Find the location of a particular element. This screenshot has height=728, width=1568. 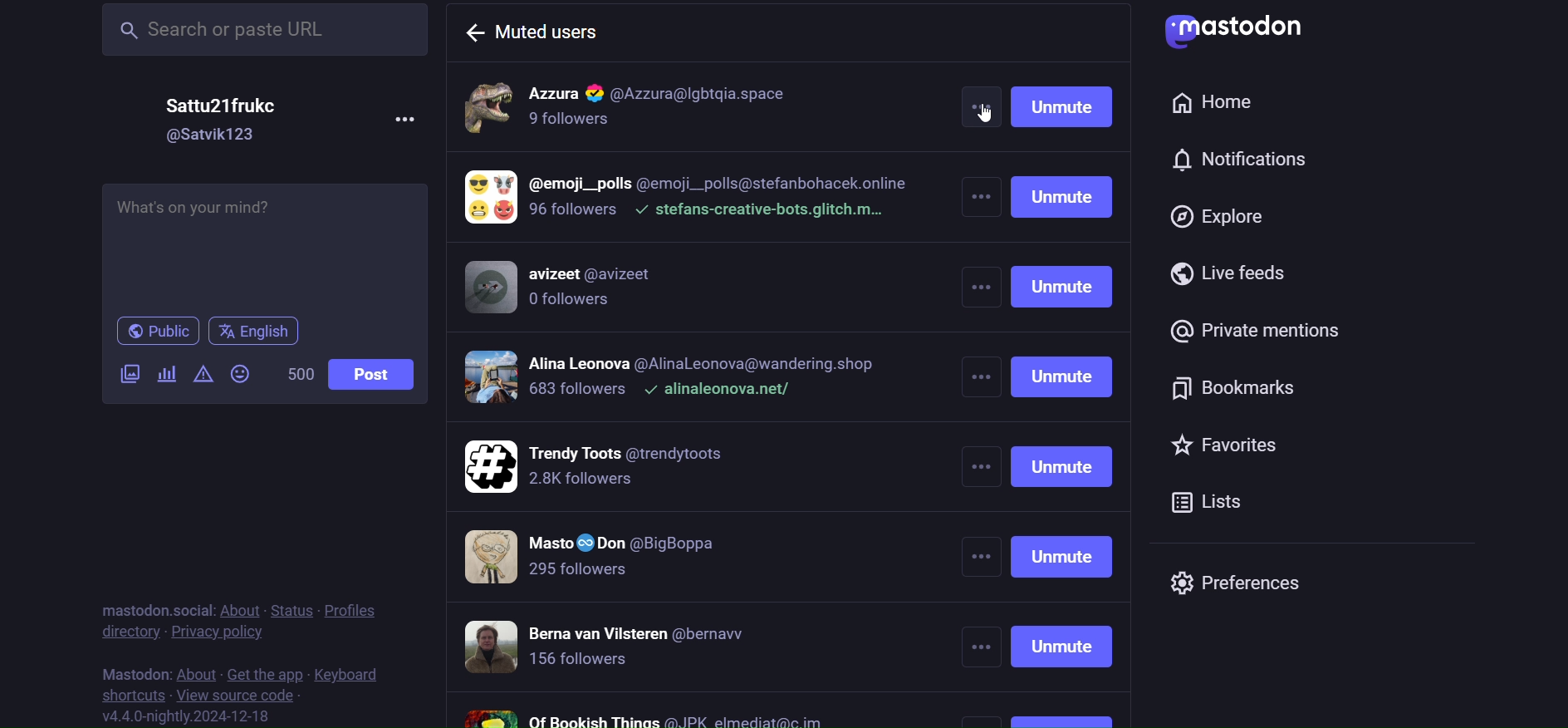

status is located at coordinates (290, 610).